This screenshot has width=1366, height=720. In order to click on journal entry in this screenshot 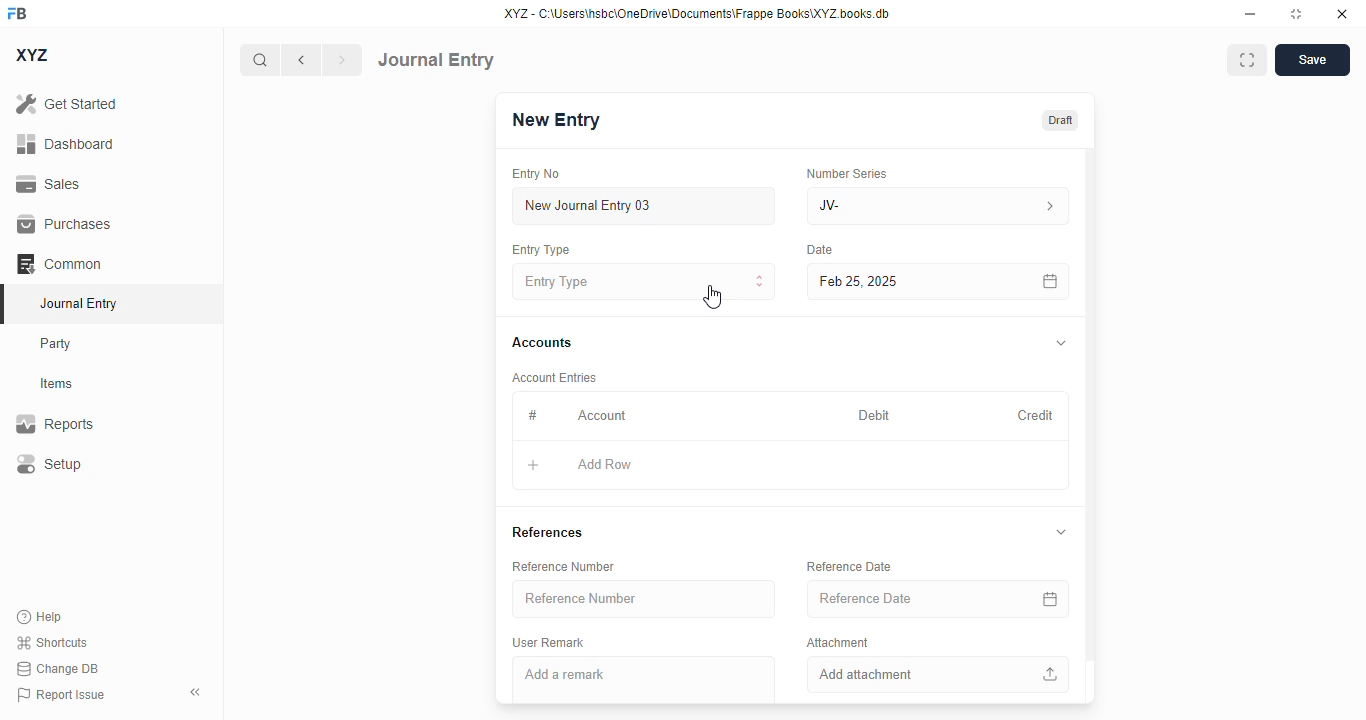, I will do `click(77, 303)`.